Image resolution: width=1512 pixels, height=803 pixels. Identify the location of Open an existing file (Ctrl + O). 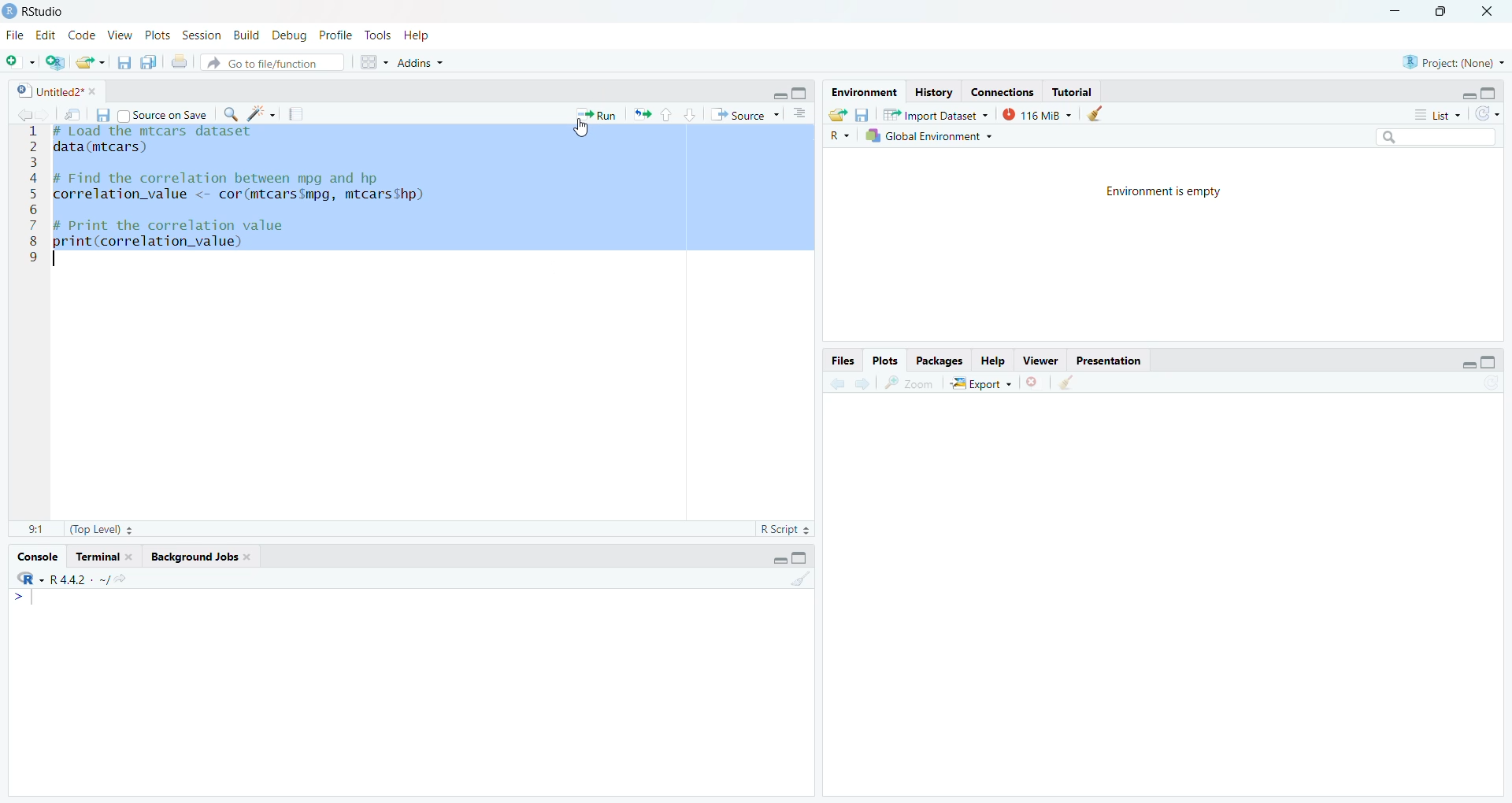
(91, 63).